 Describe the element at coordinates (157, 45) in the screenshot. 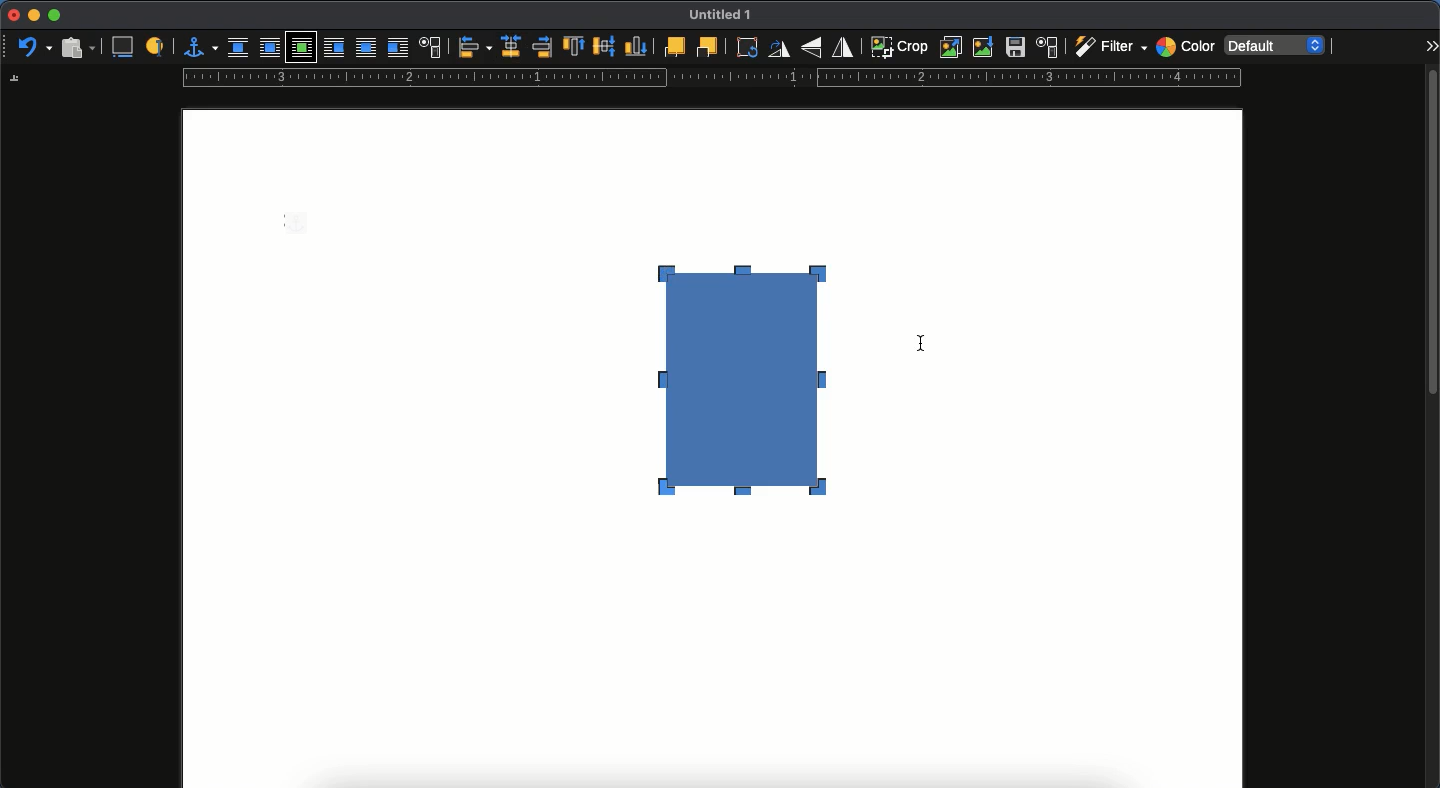

I see `a label to identify an object` at that location.